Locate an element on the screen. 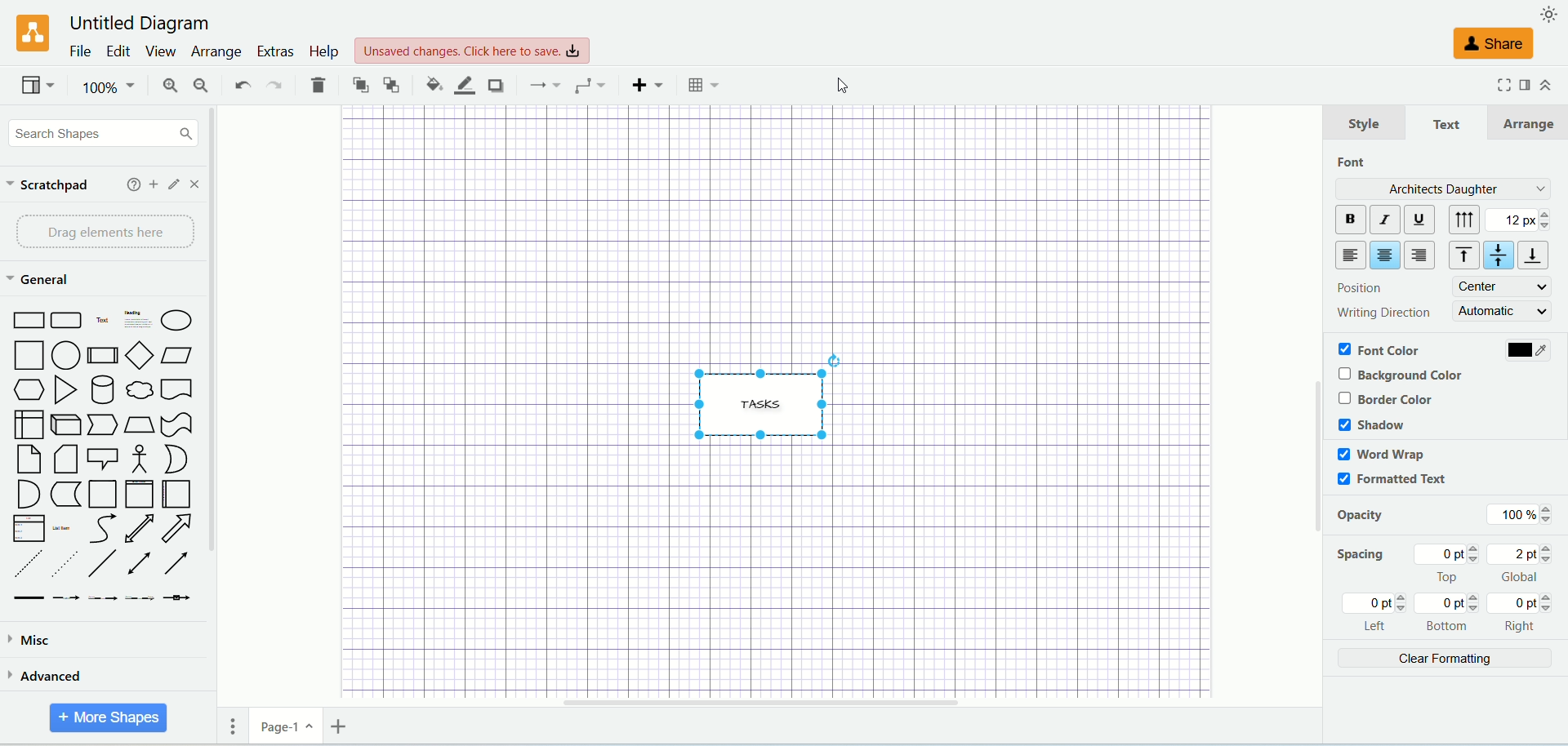 Image resolution: width=1568 pixels, height=746 pixels. appearance is located at coordinates (1550, 13).